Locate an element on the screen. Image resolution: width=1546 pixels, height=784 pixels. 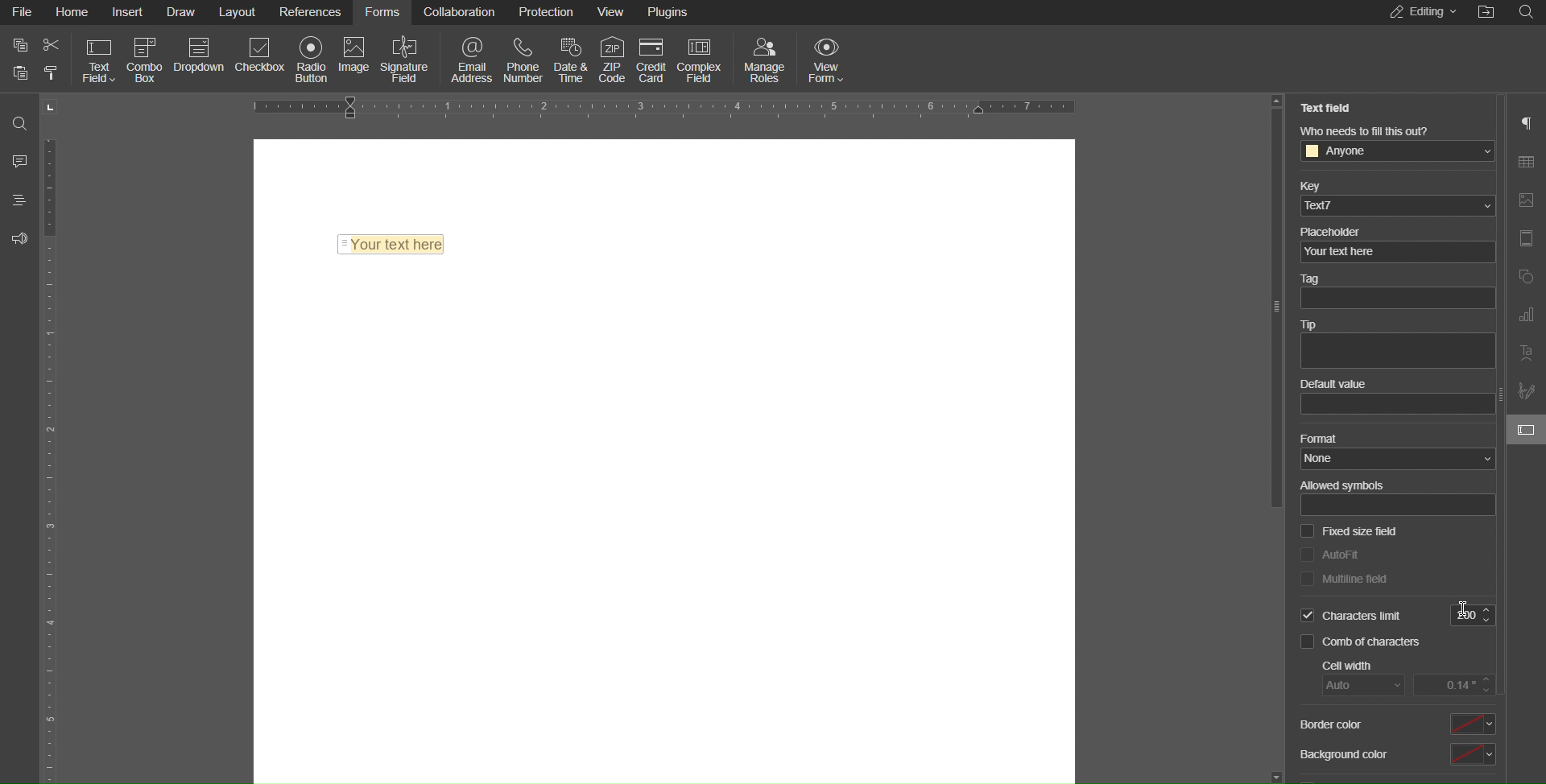
Image Settings is located at coordinates (1525, 201).